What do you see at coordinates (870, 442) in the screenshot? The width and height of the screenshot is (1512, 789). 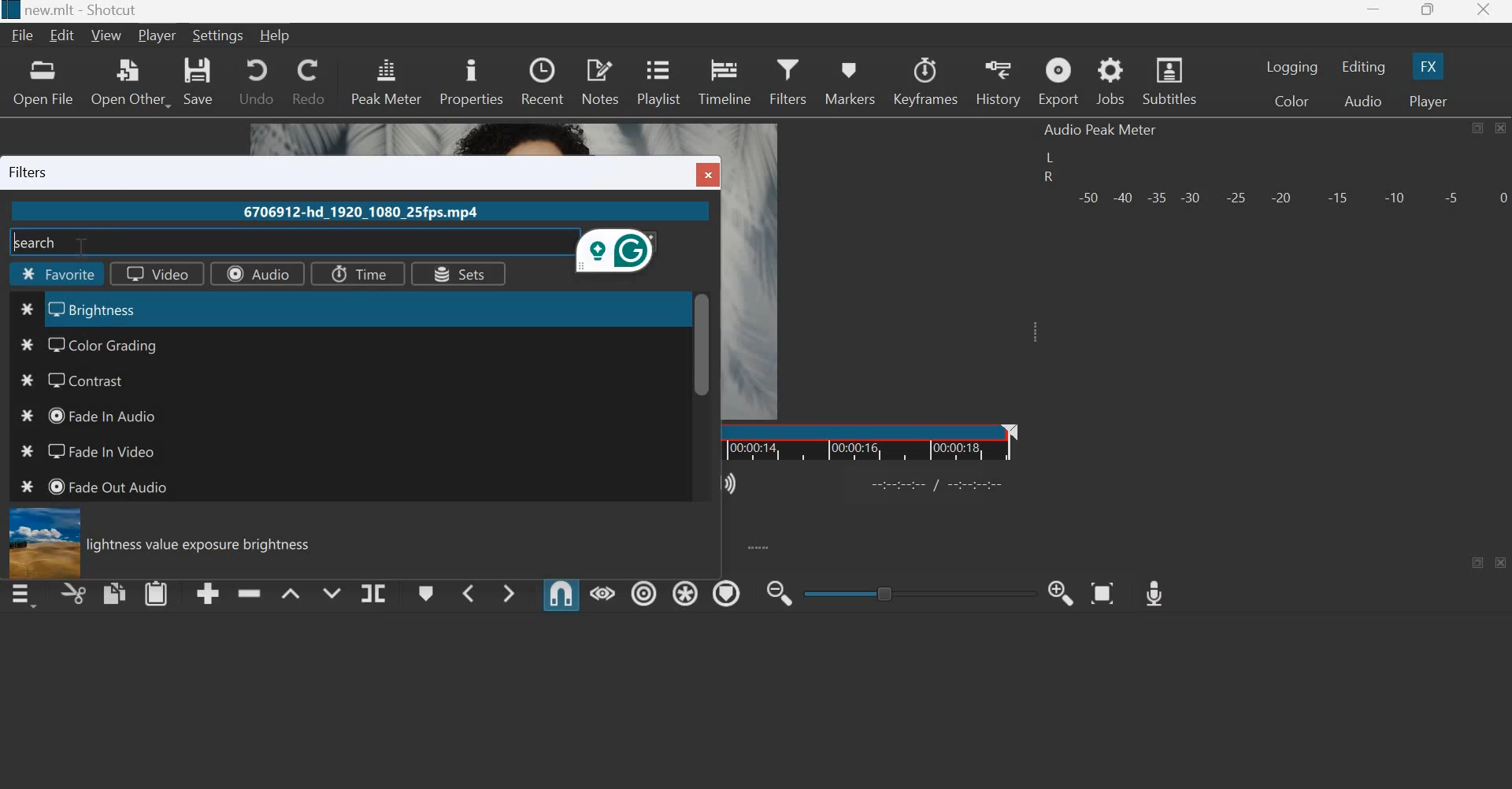 I see `Timeline ruler` at bounding box center [870, 442].